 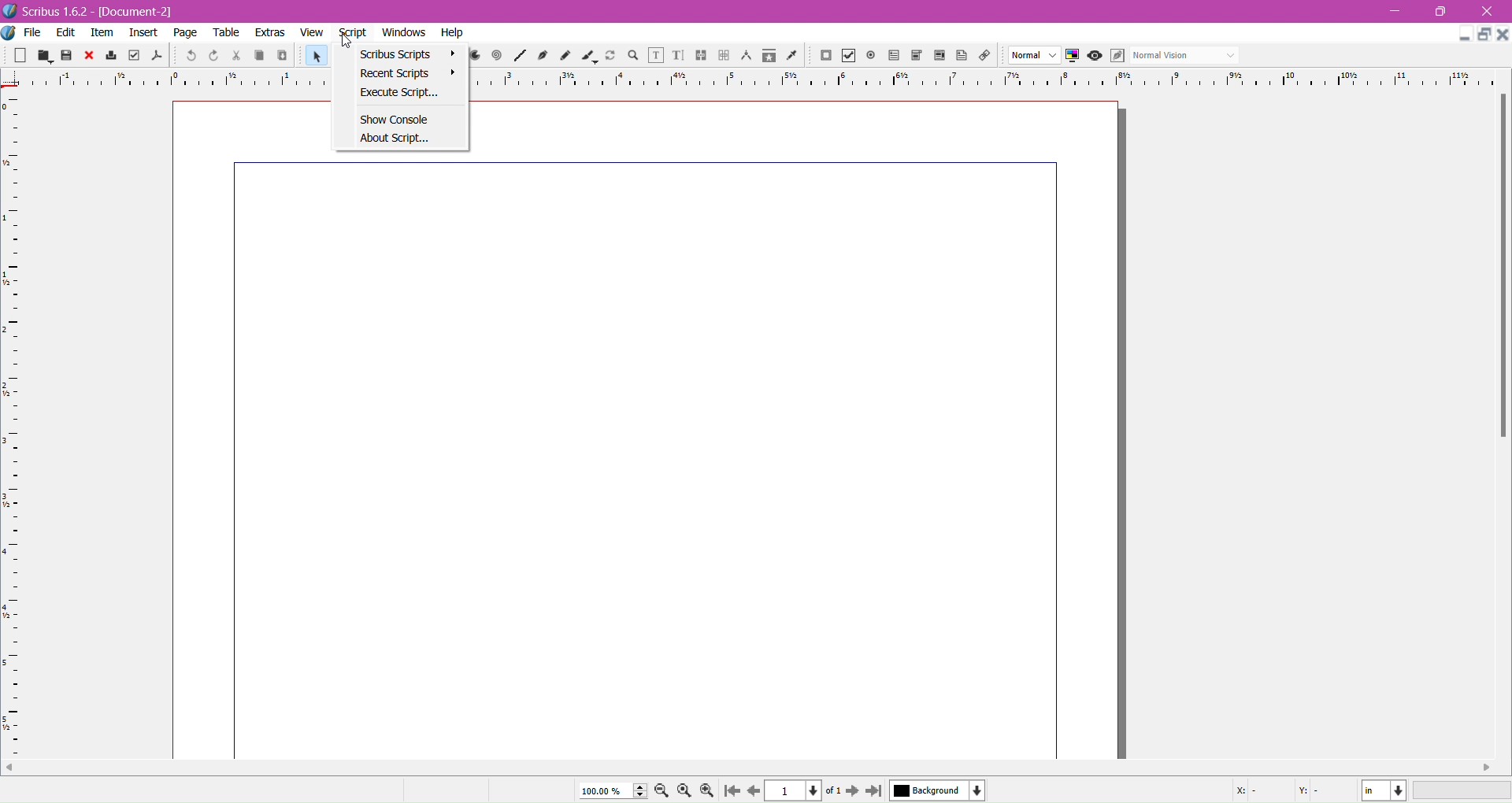 What do you see at coordinates (111, 56) in the screenshot?
I see `Print` at bounding box center [111, 56].